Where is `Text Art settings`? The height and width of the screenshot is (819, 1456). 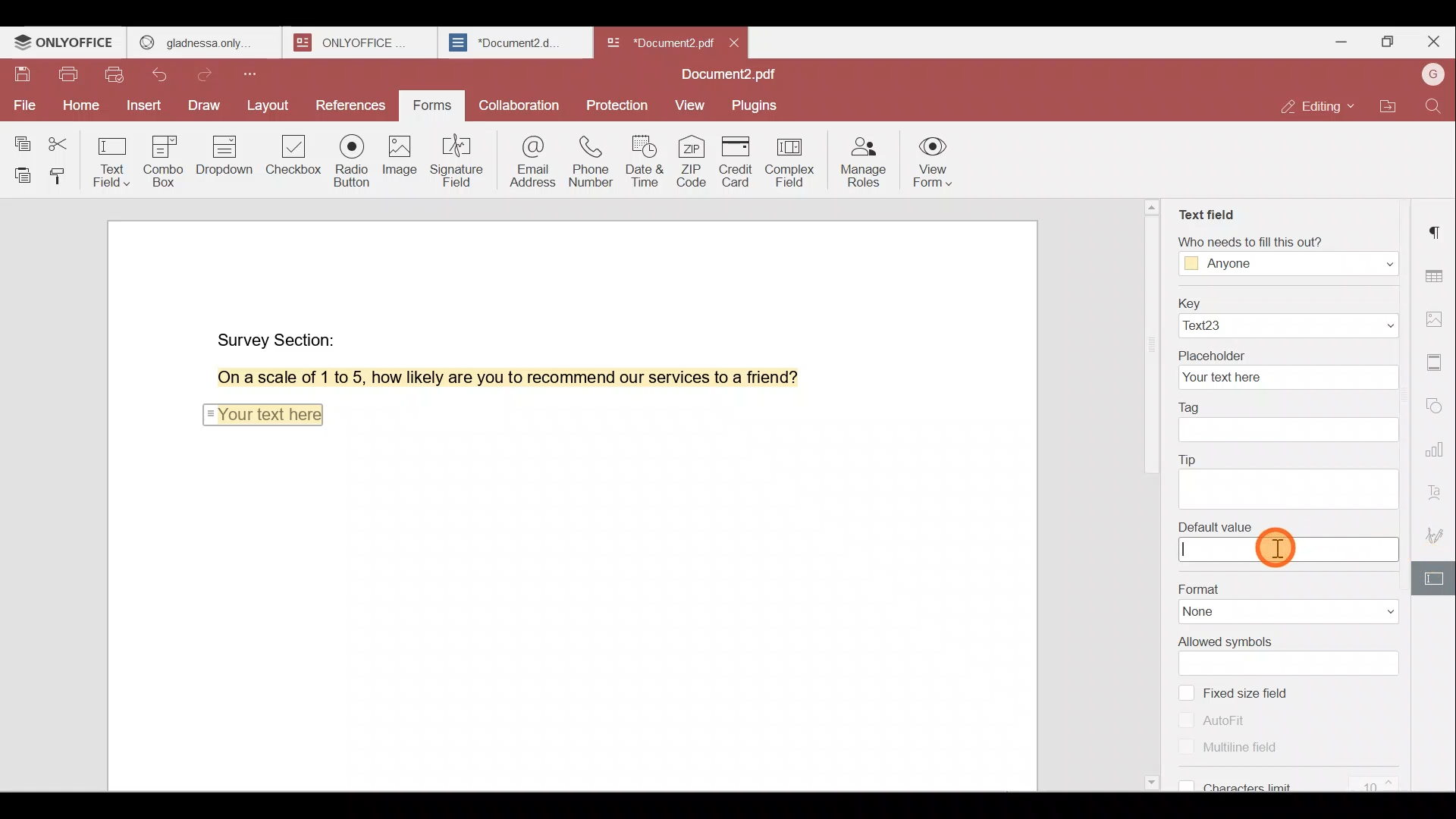 Text Art settings is located at coordinates (1437, 488).